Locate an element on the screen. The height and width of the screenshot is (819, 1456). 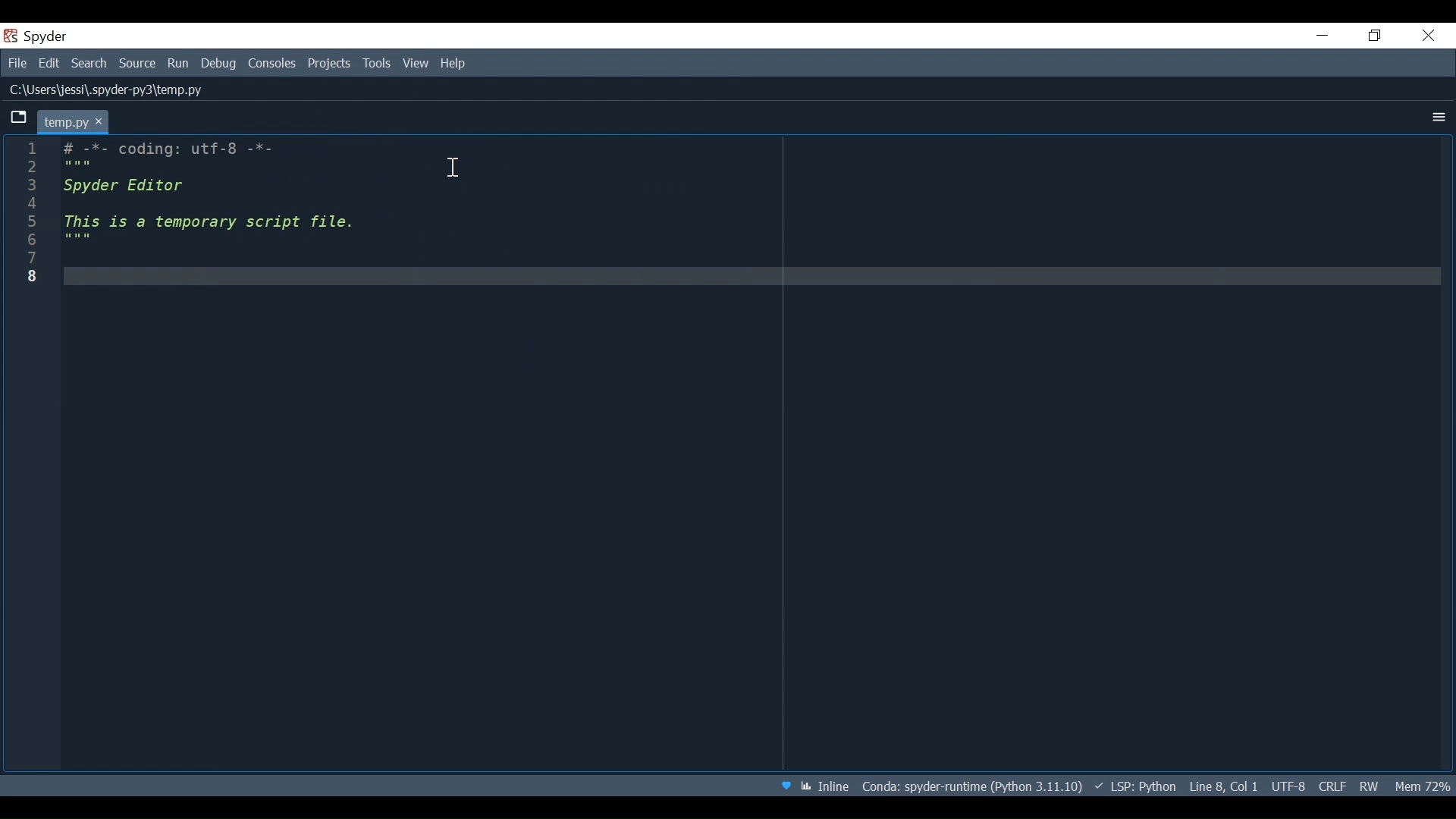
Help Spyder is located at coordinates (784, 785).